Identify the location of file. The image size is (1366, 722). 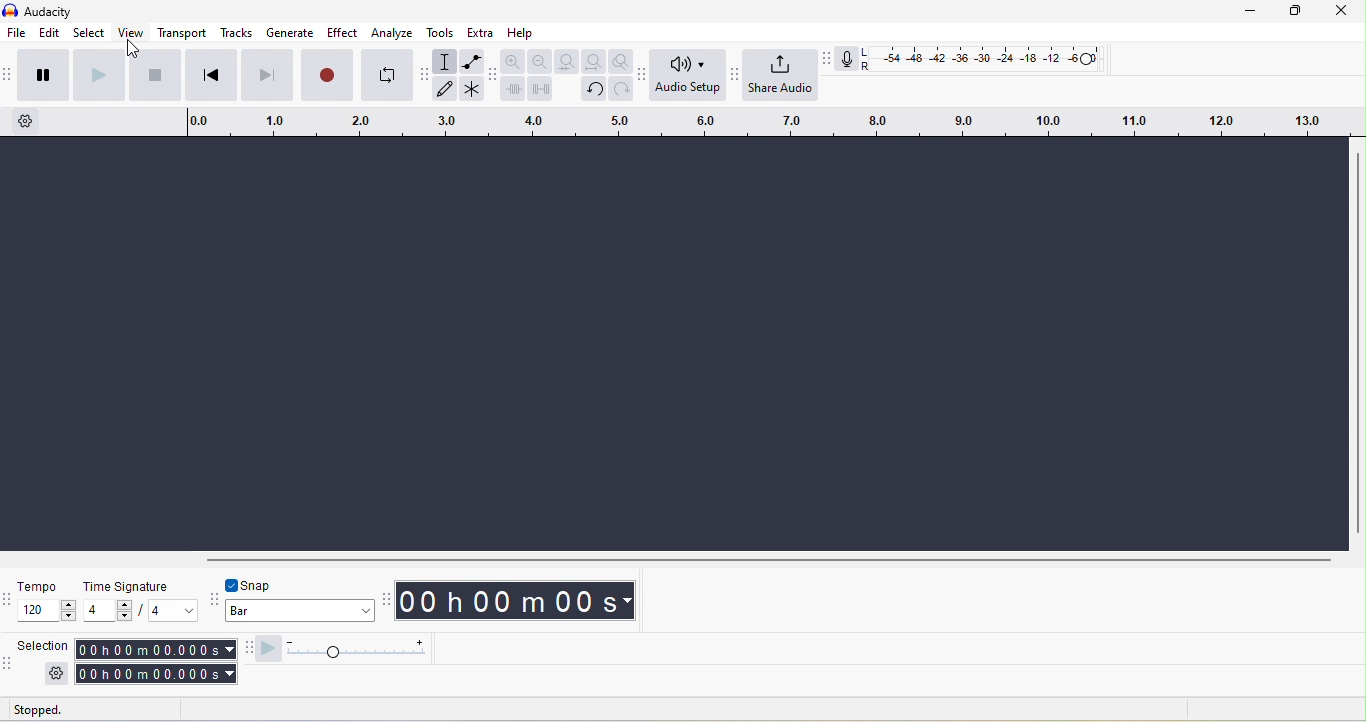
(17, 32).